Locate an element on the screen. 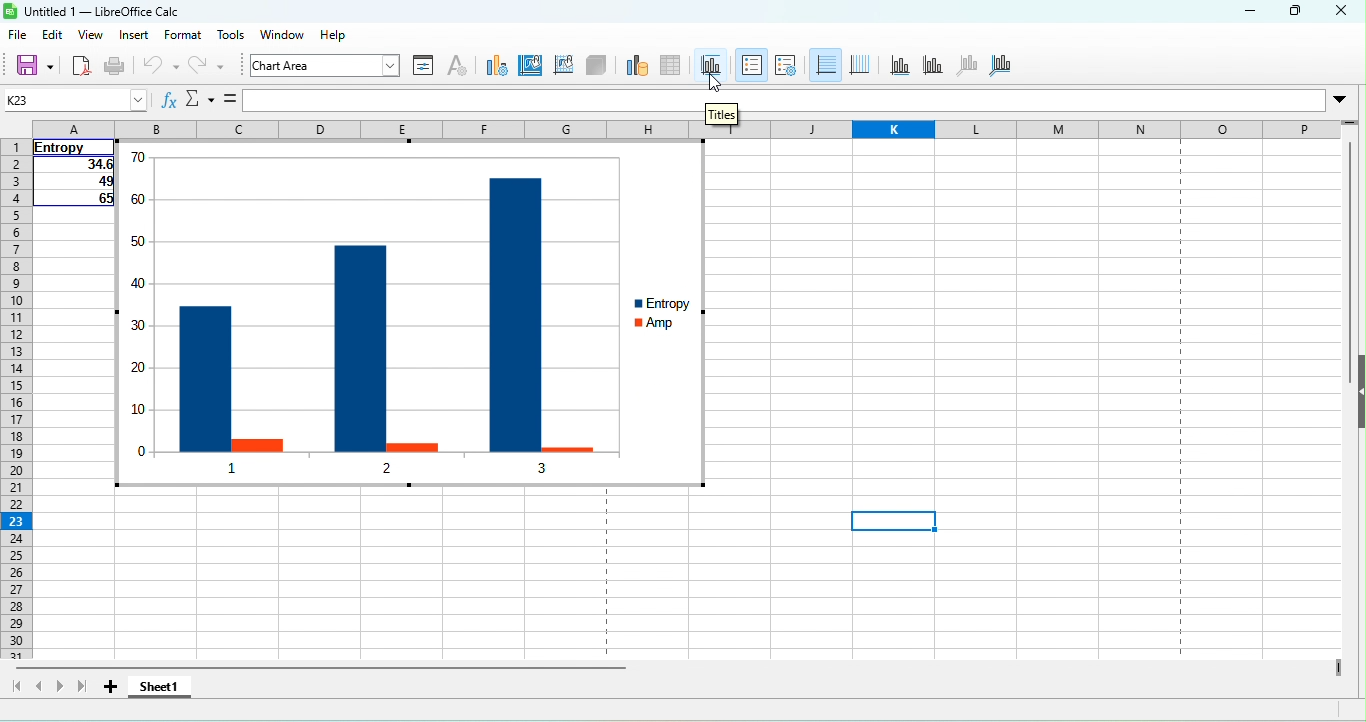 The width and height of the screenshot is (1366, 722). z axis is located at coordinates (972, 65).